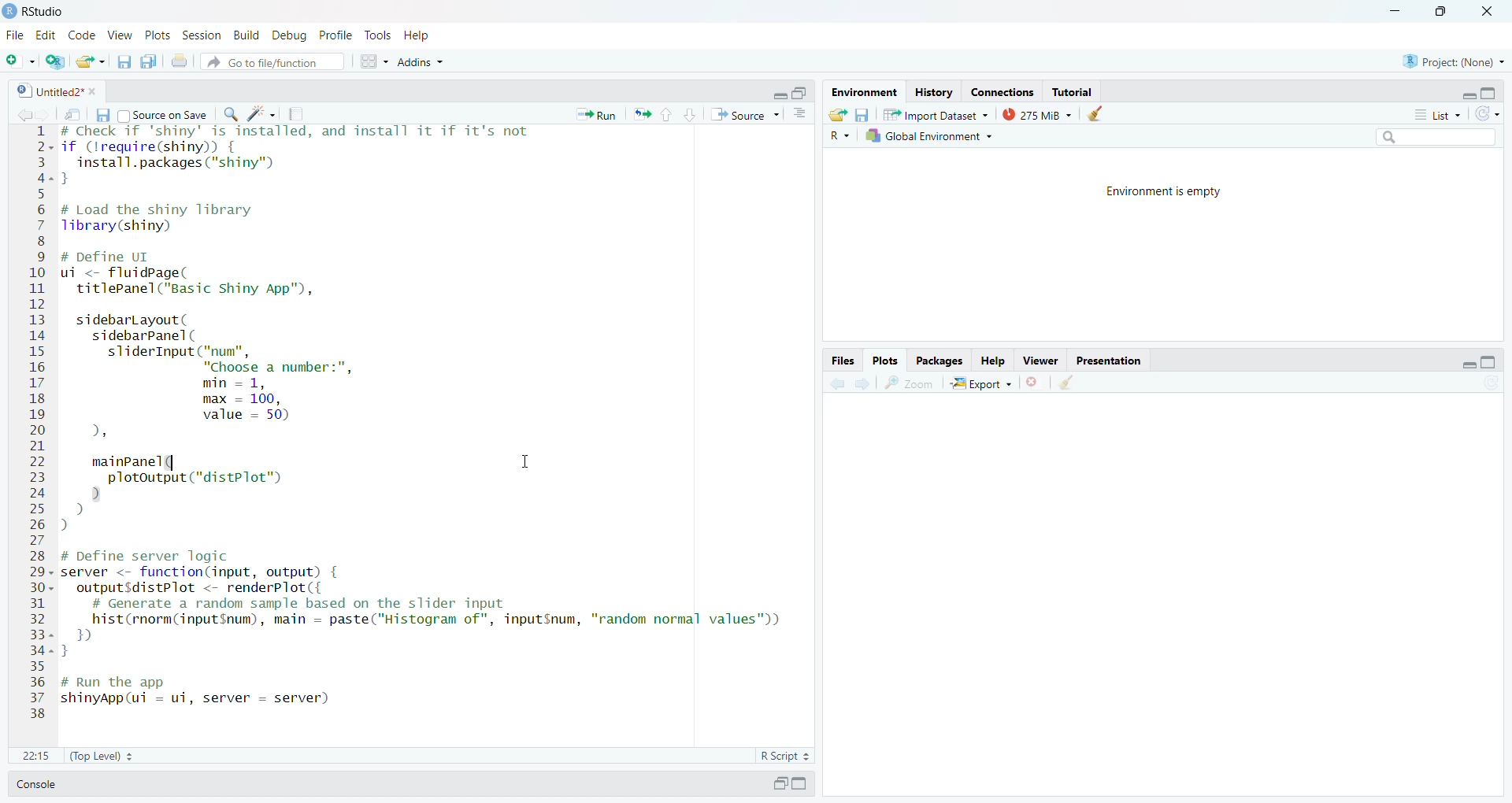  I want to click on # Run the app
shinyApp(ui = ui, server = server), so click(201, 692).